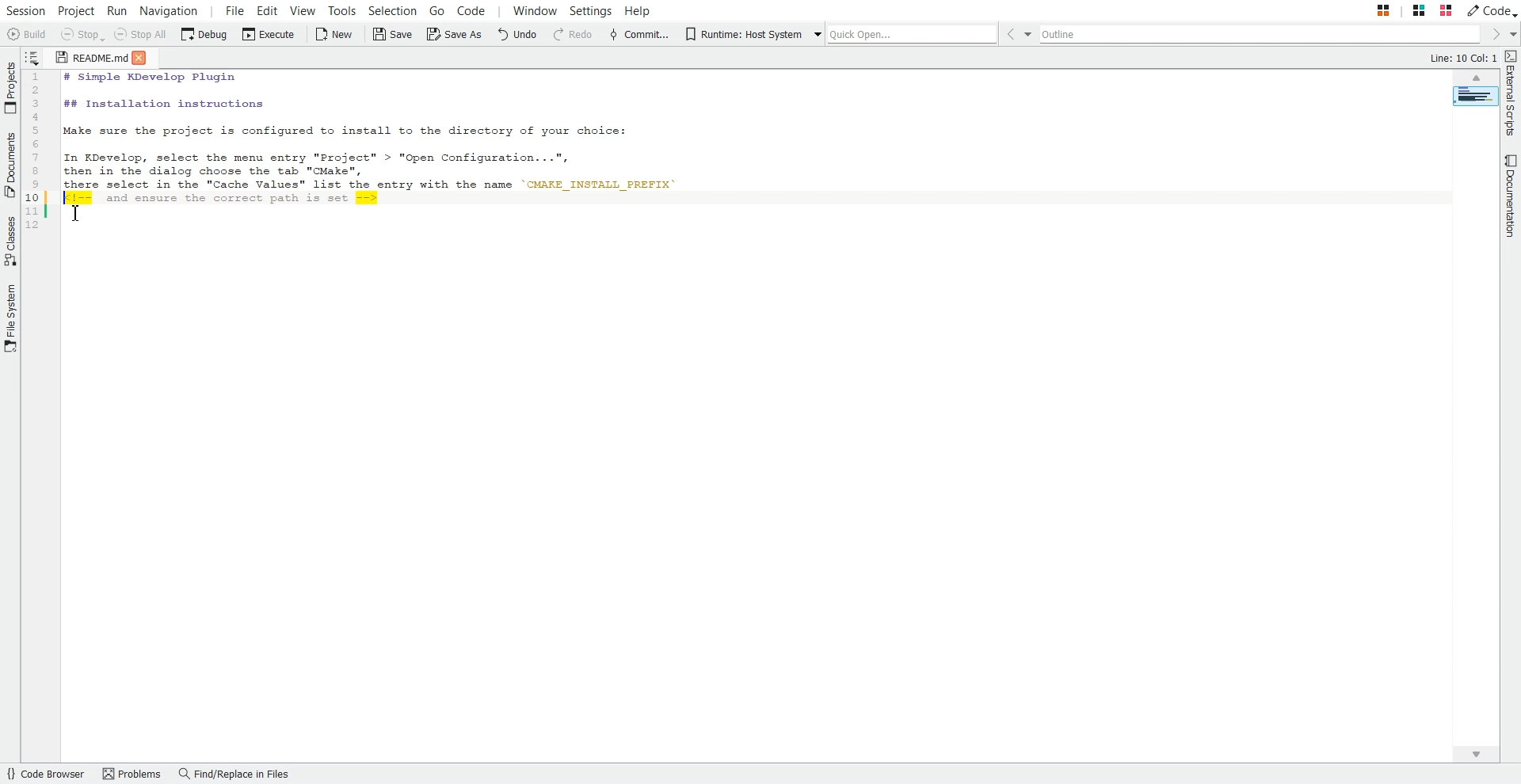 The width and height of the screenshot is (1521, 784). Describe the element at coordinates (1264, 34) in the screenshot. I see `Outline` at that location.